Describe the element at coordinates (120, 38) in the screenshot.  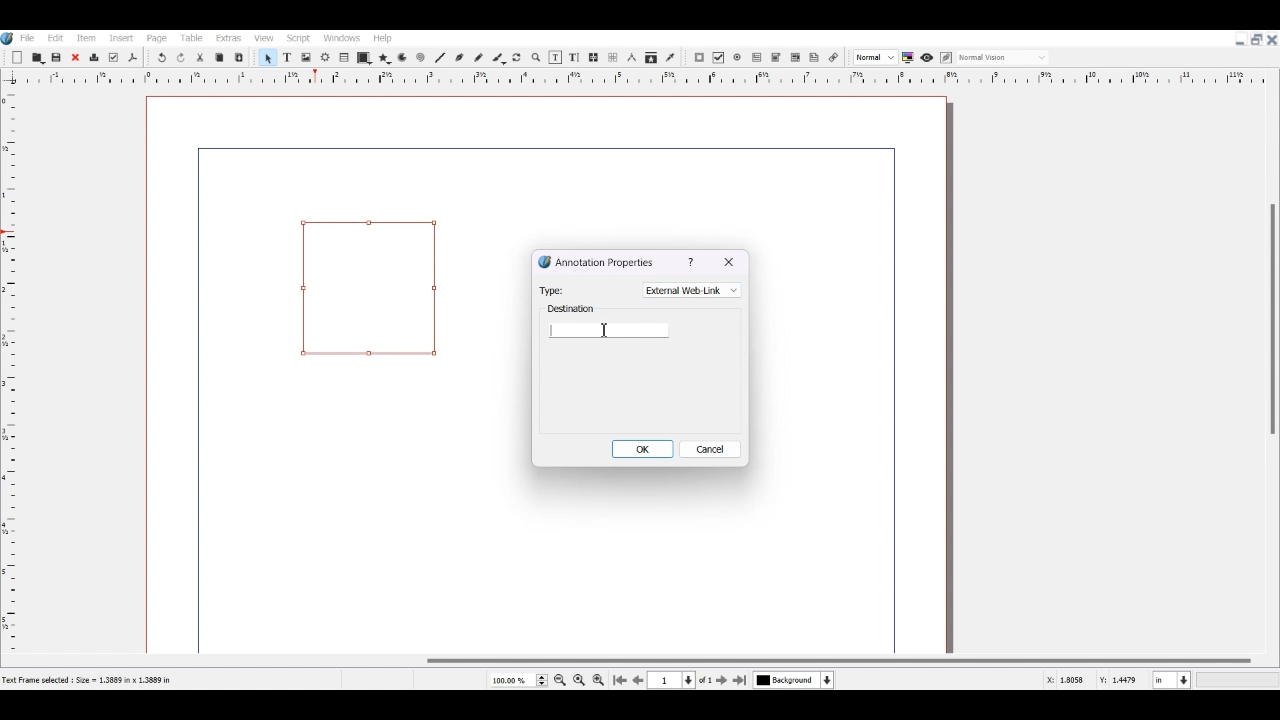
I see `Insert` at that location.